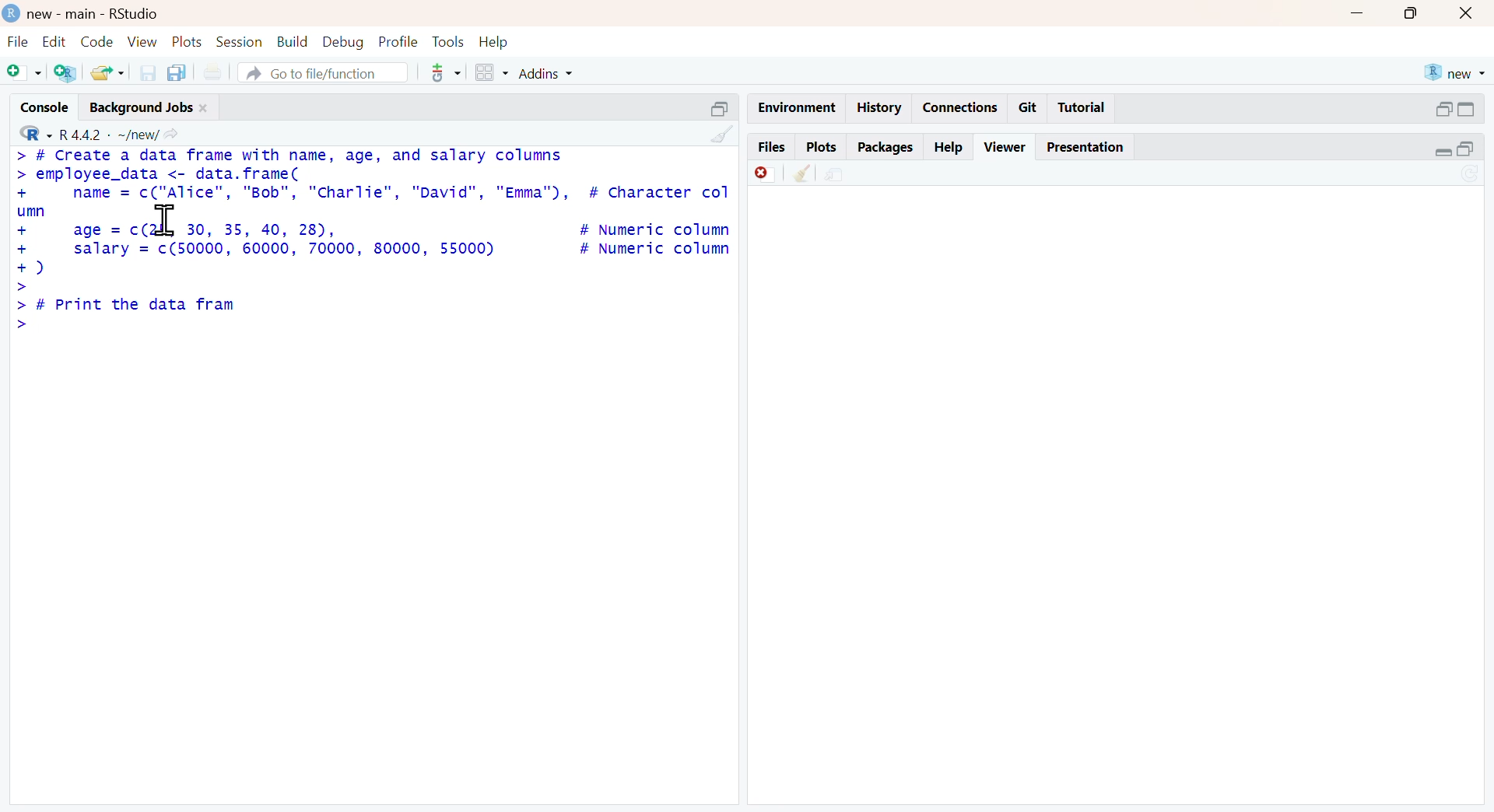 Image resolution: width=1494 pixels, height=812 pixels. Describe the element at coordinates (151, 108) in the screenshot. I see `Background Jobs` at that location.